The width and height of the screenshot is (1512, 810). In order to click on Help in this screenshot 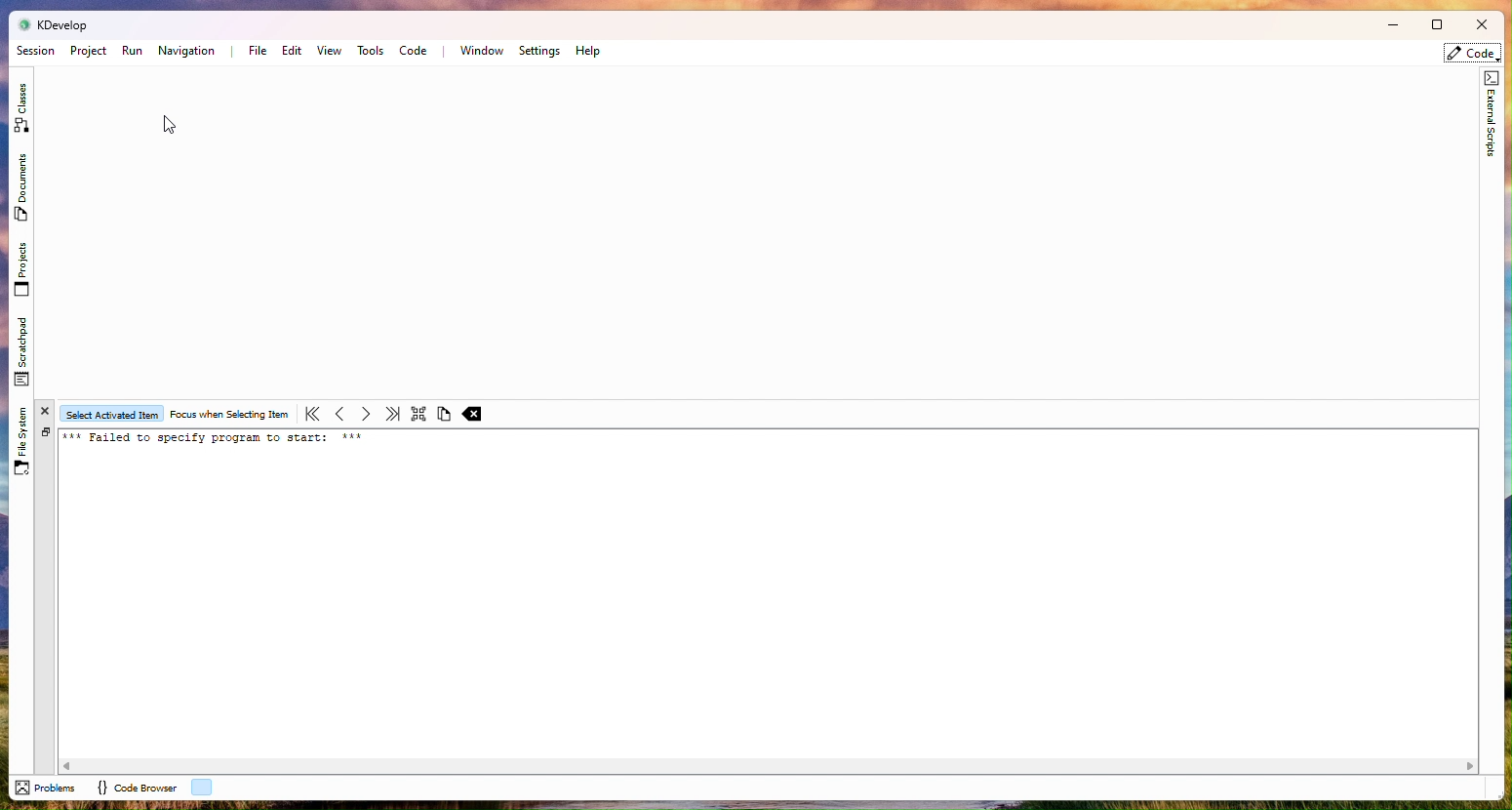, I will do `click(589, 51)`.